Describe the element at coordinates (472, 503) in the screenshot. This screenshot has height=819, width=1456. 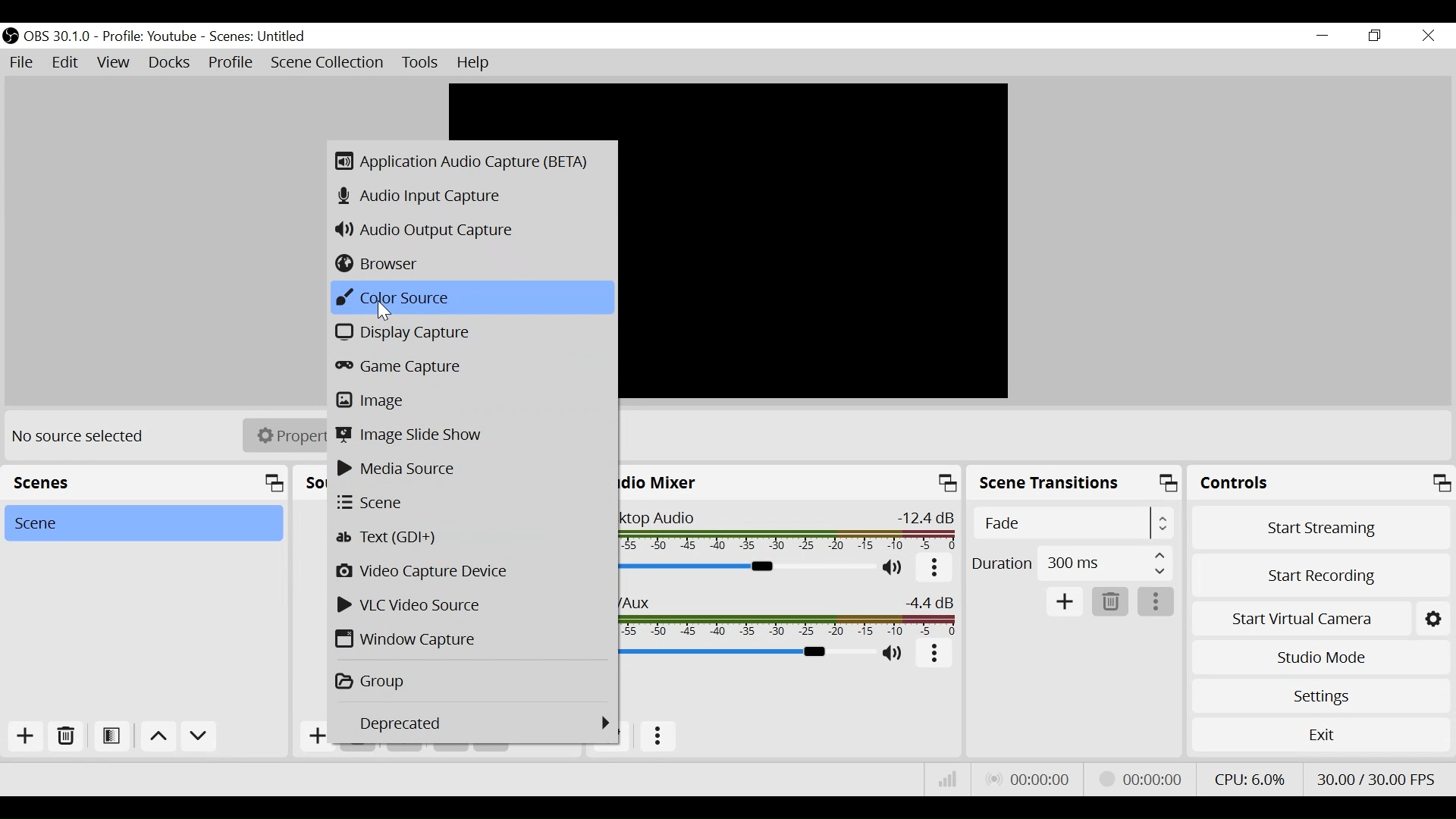
I see `Scene` at that location.